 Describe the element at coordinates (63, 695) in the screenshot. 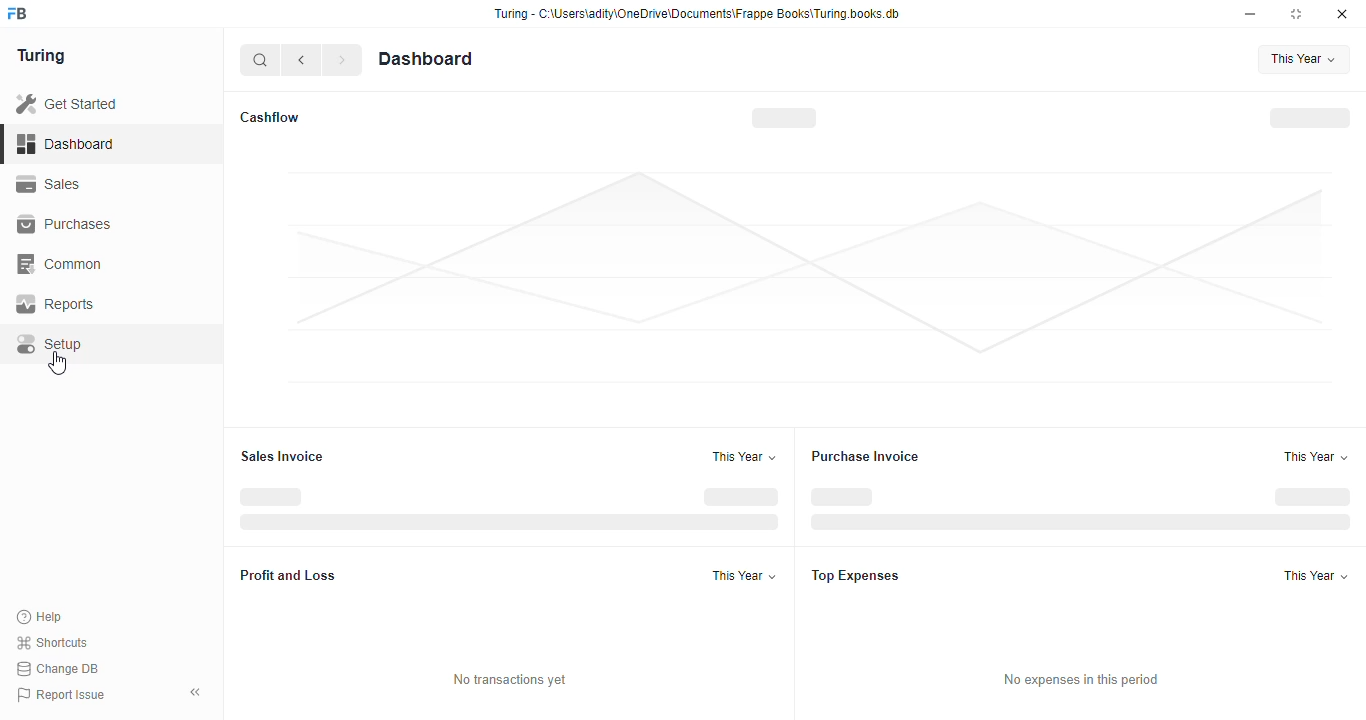

I see `Report Issue` at that location.